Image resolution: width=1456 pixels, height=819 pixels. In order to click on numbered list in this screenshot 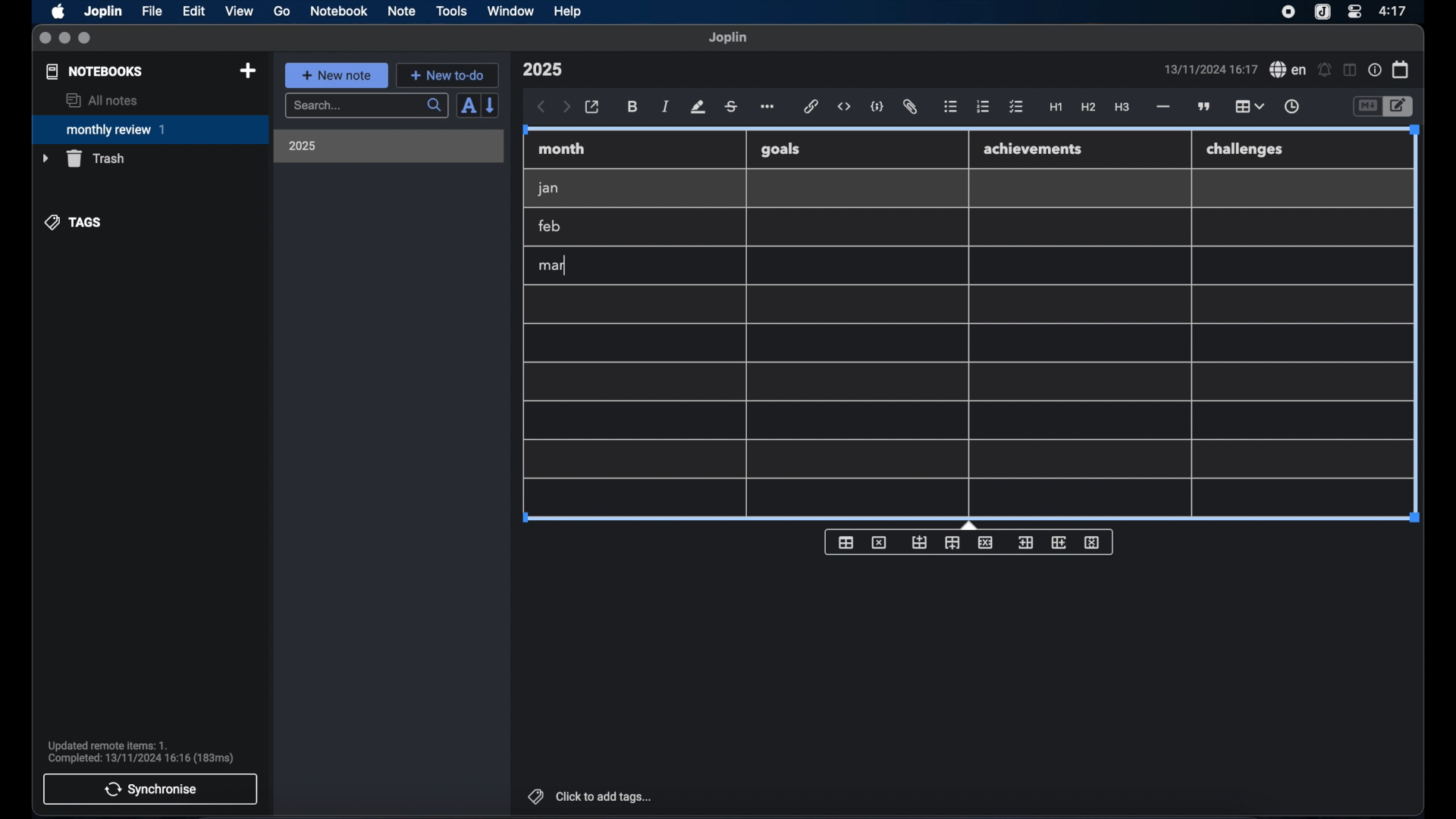, I will do `click(983, 106)`.